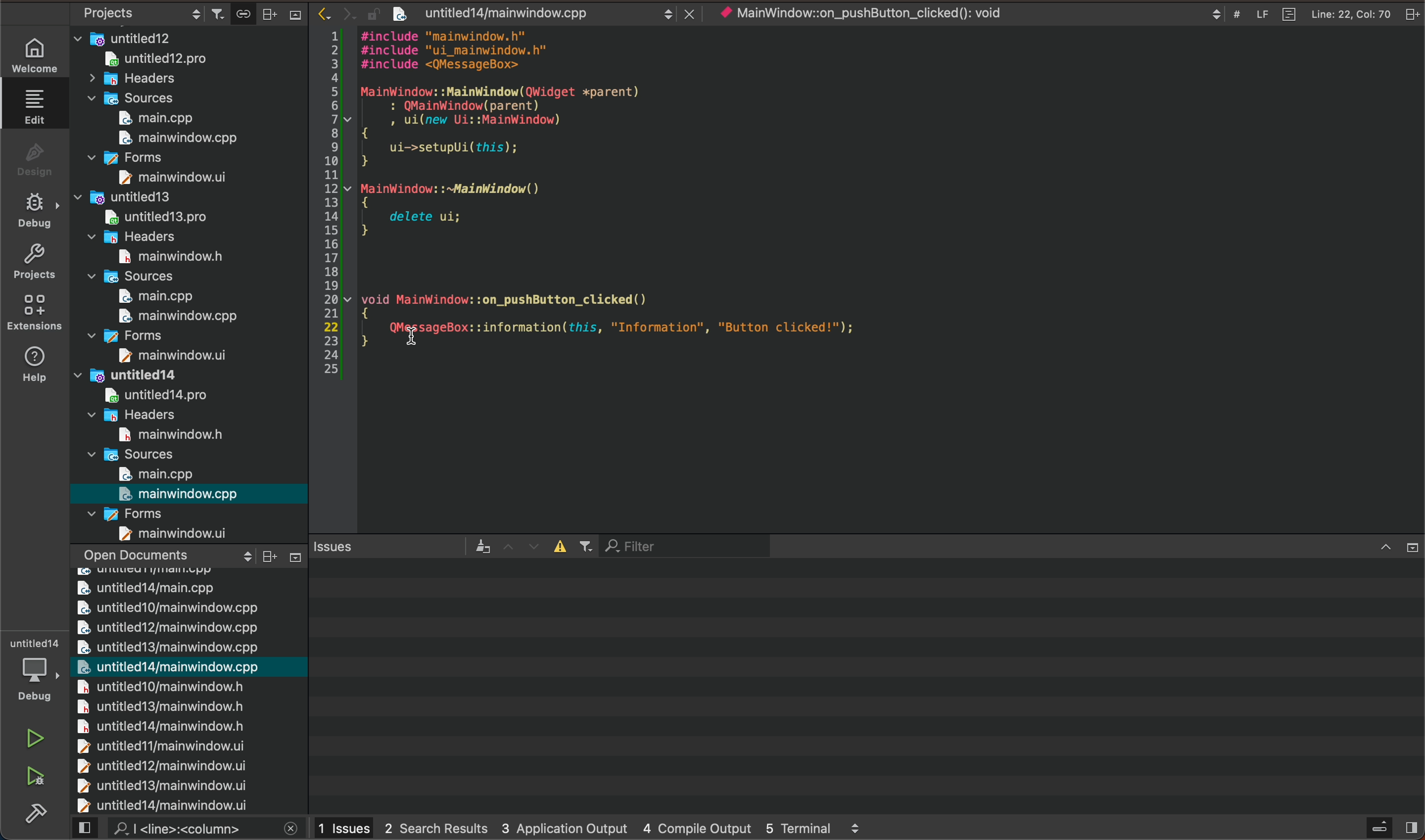 The height and width of the screenshot is (840, 1425). I want to click on main.cpp, so click(147, 297).